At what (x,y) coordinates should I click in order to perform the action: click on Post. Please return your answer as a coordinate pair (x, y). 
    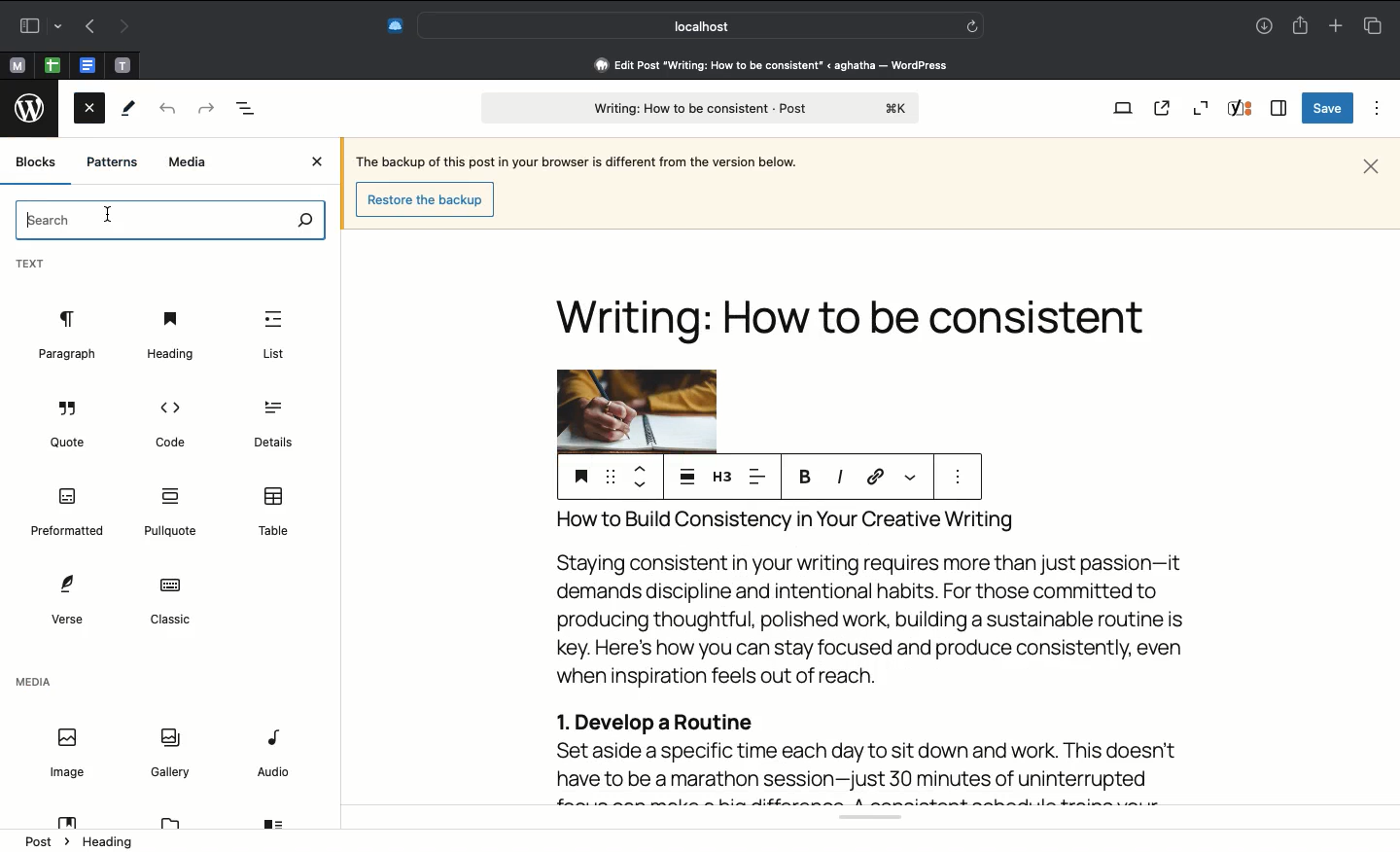
    Looking at the image, I should click on (696, 108).